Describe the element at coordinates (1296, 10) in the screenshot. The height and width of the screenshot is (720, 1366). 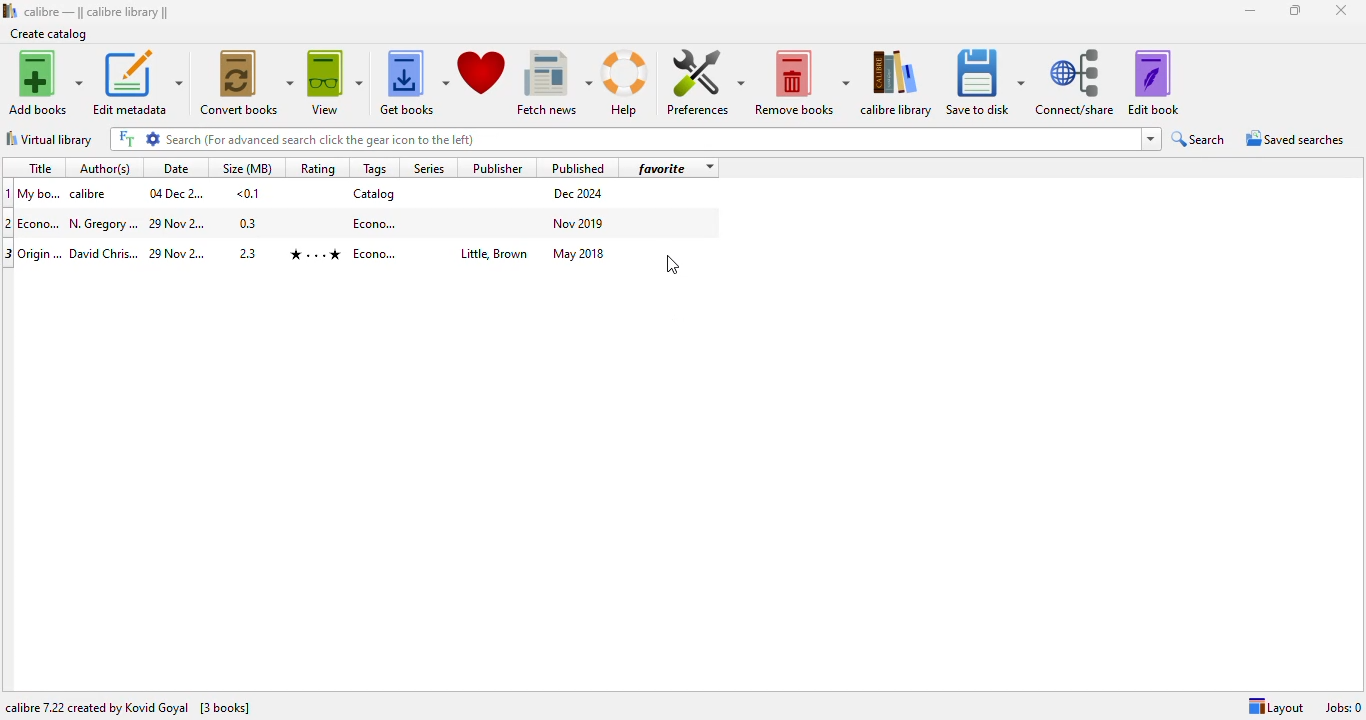
I see `maximize` at that location.